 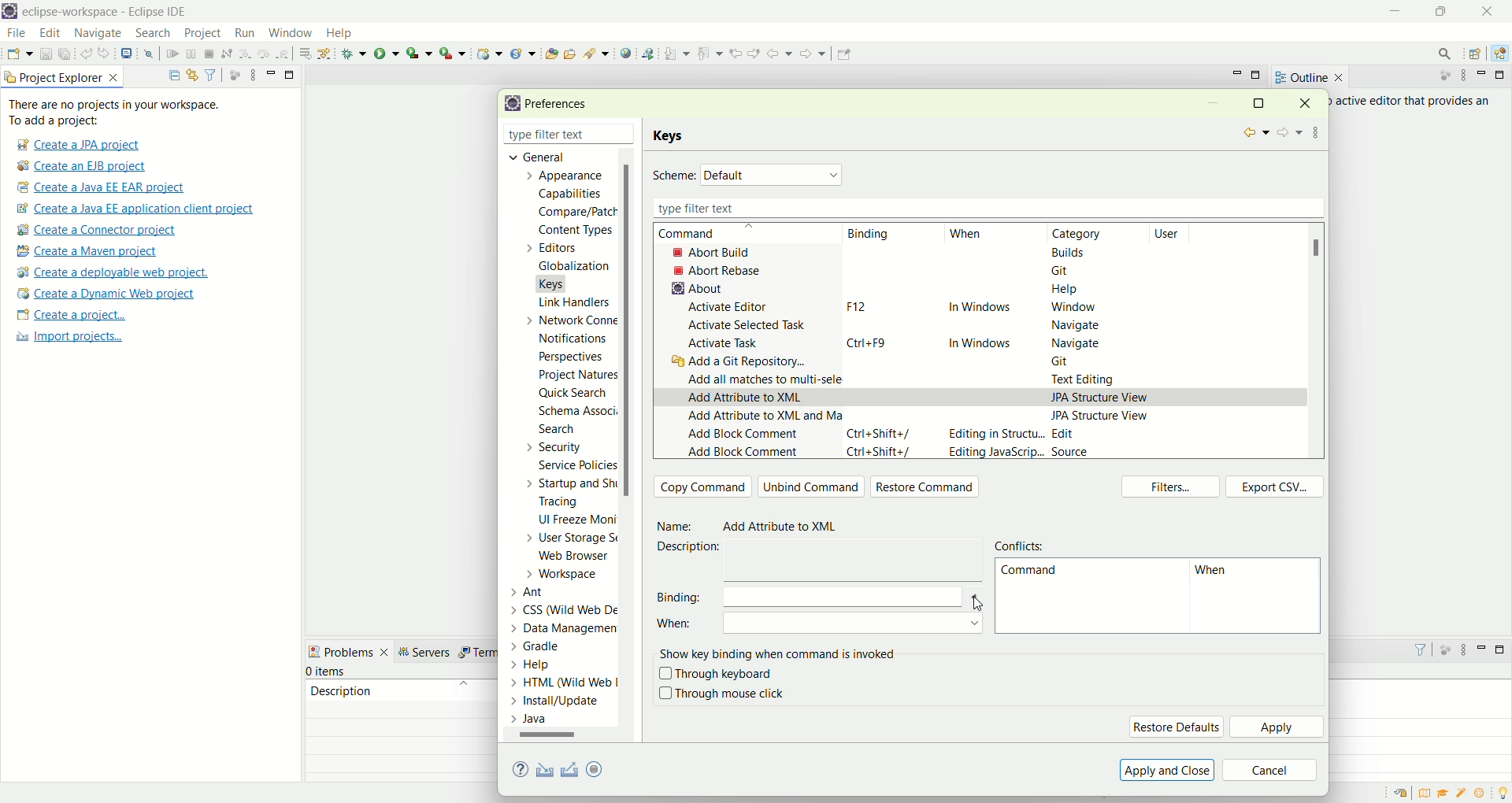 I want to click on collapse all, so click(x=170, y=76).